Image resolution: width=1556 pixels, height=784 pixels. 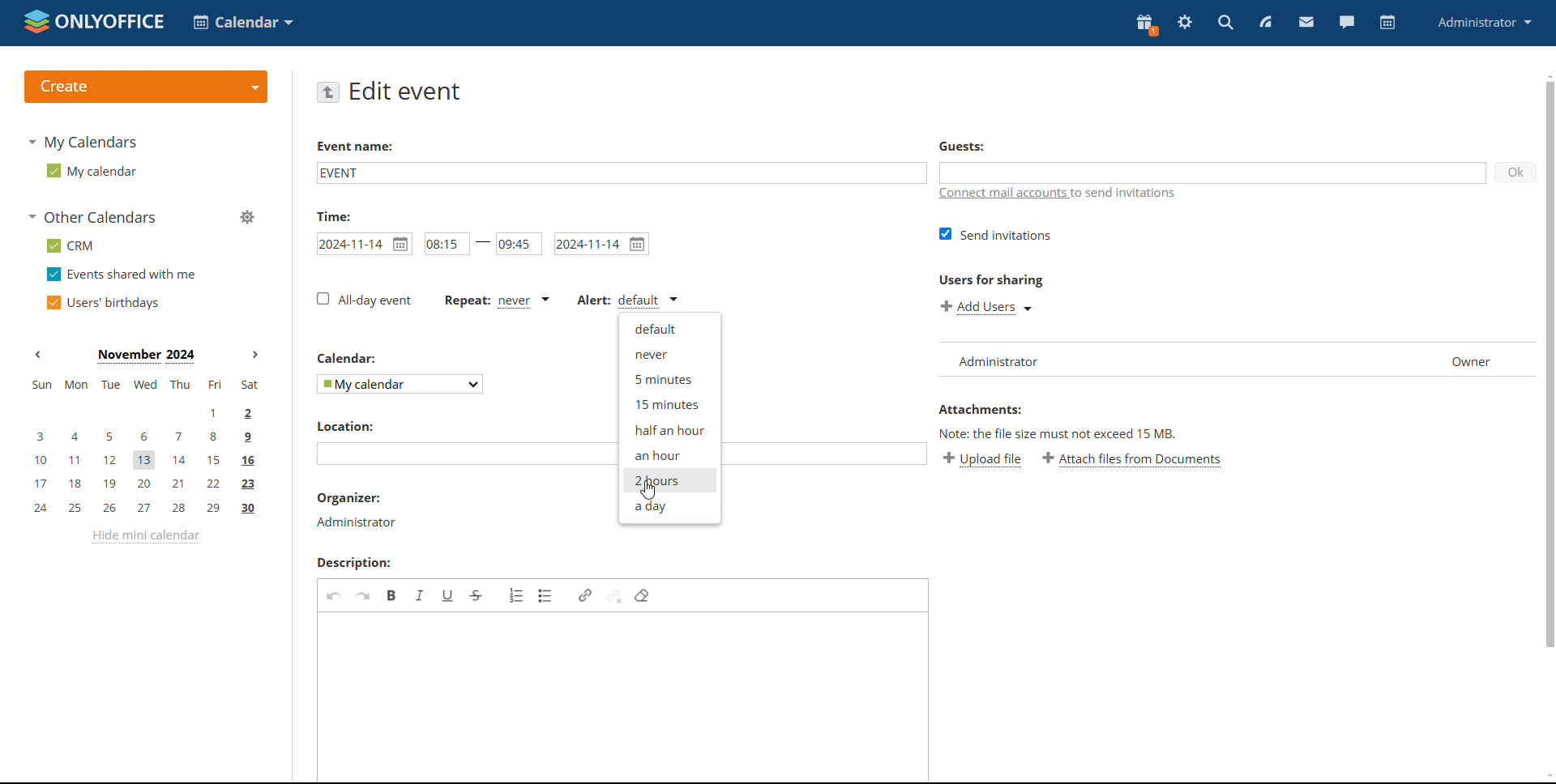 I want to click on undo, so click(x=333, y=594).